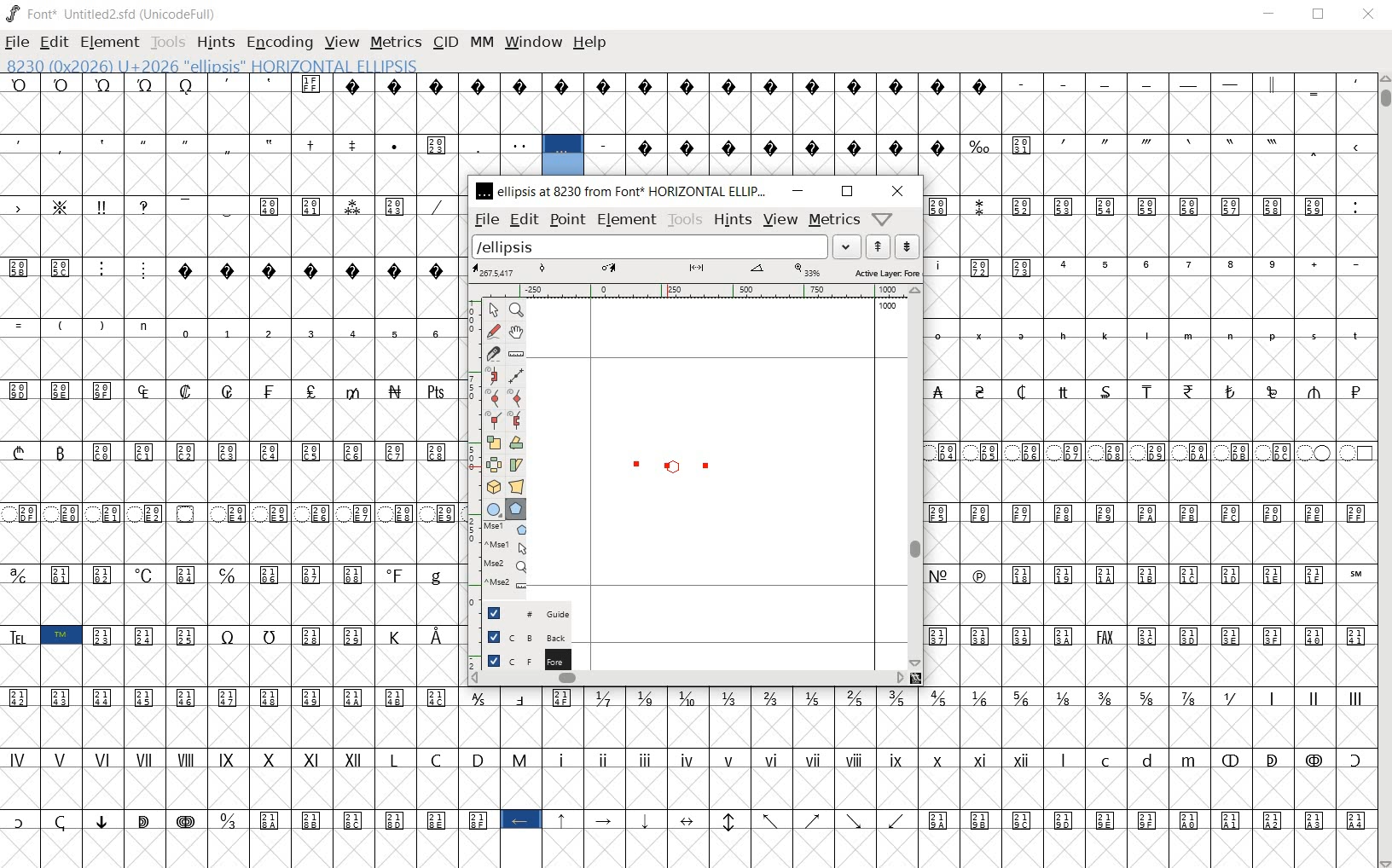 The width and height of the screenshot is (1392, 868). What do you see at coordinates (1000, 124) in the screenshot?
I see `glyph characters` at bounding box center [1000, 124].